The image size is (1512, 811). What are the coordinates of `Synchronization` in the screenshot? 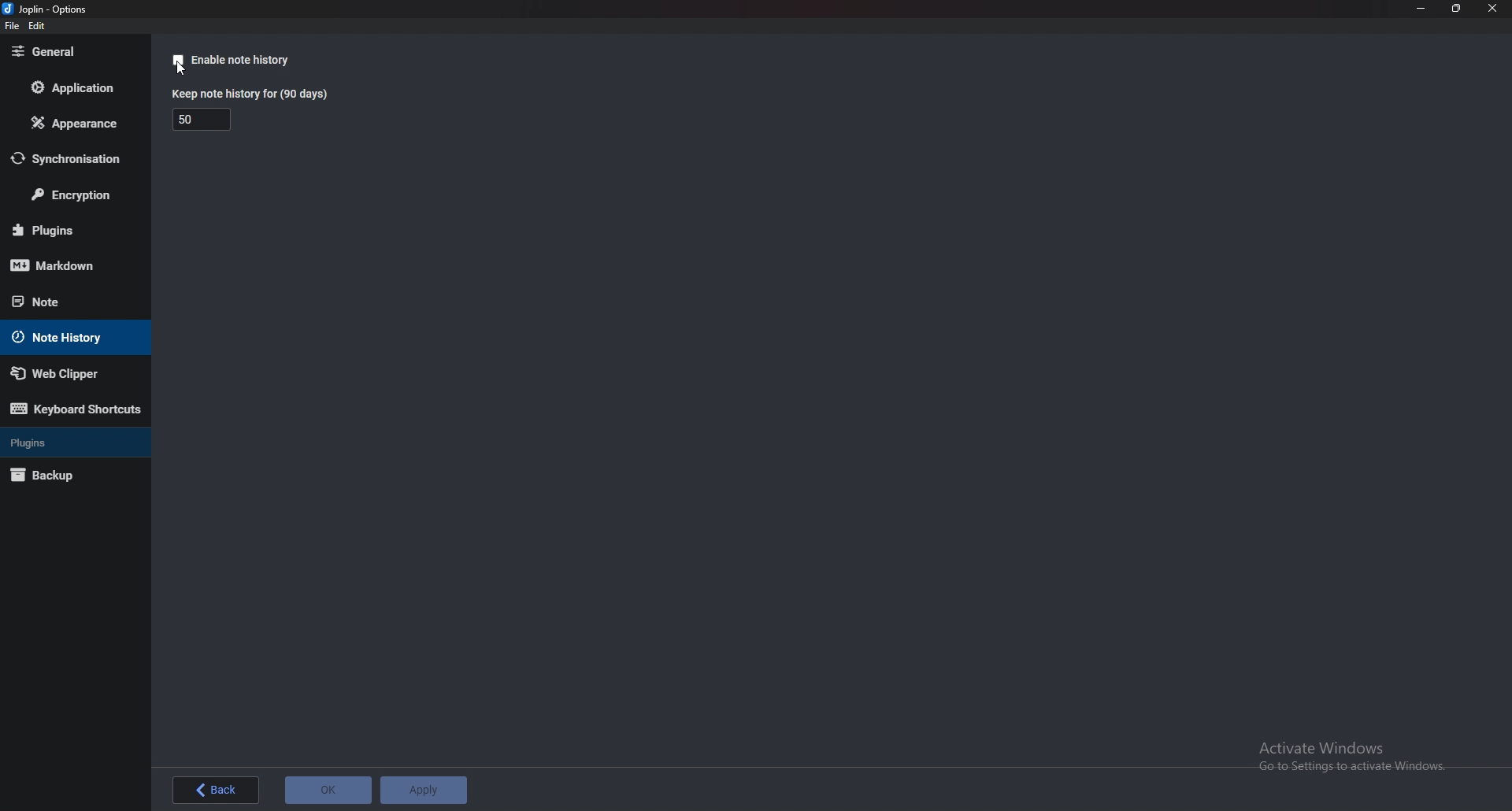 It's located at (73, 159).